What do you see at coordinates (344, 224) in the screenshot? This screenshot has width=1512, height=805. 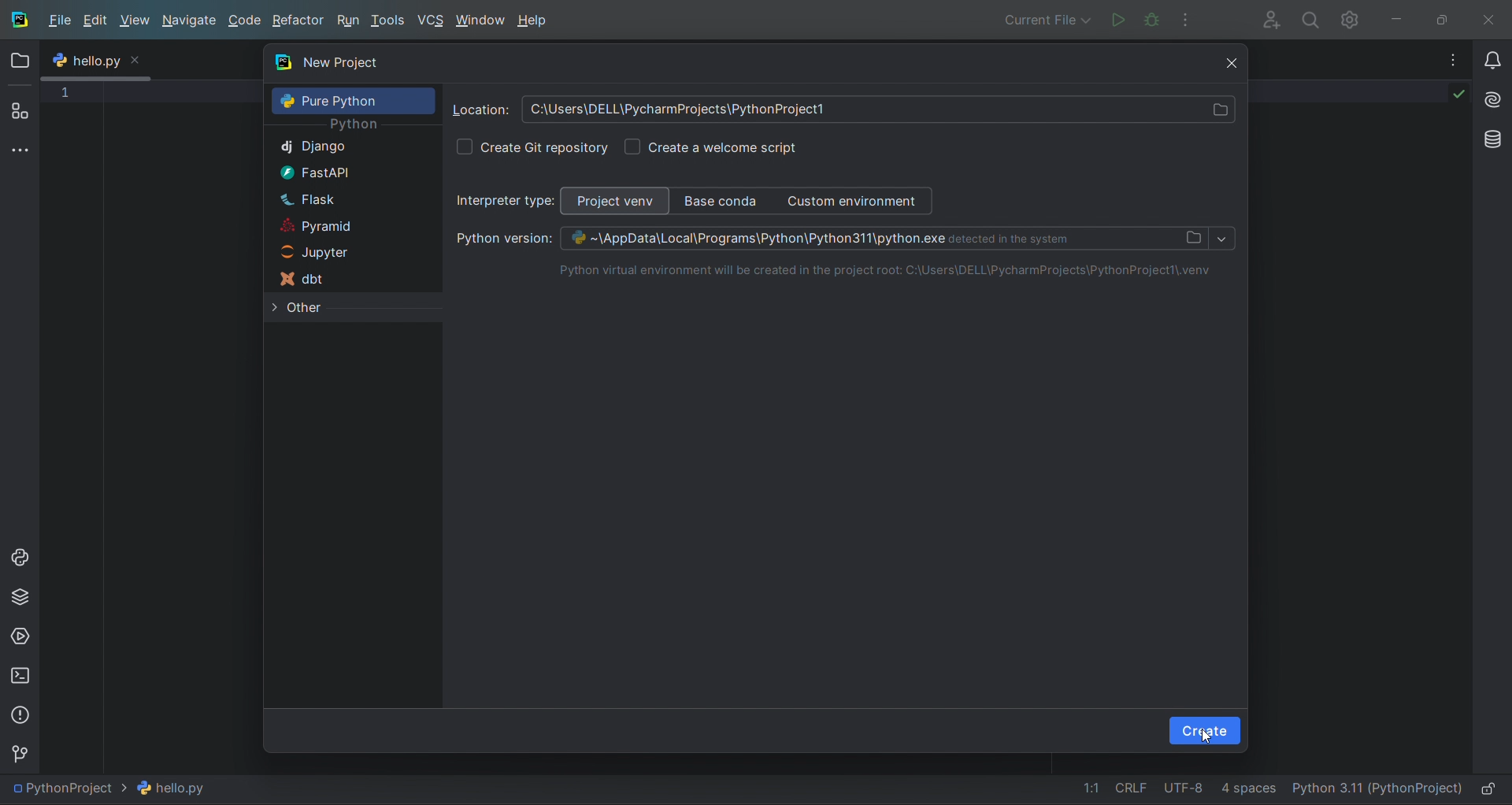 I see `pyramid` at bounding box center [344, 224].